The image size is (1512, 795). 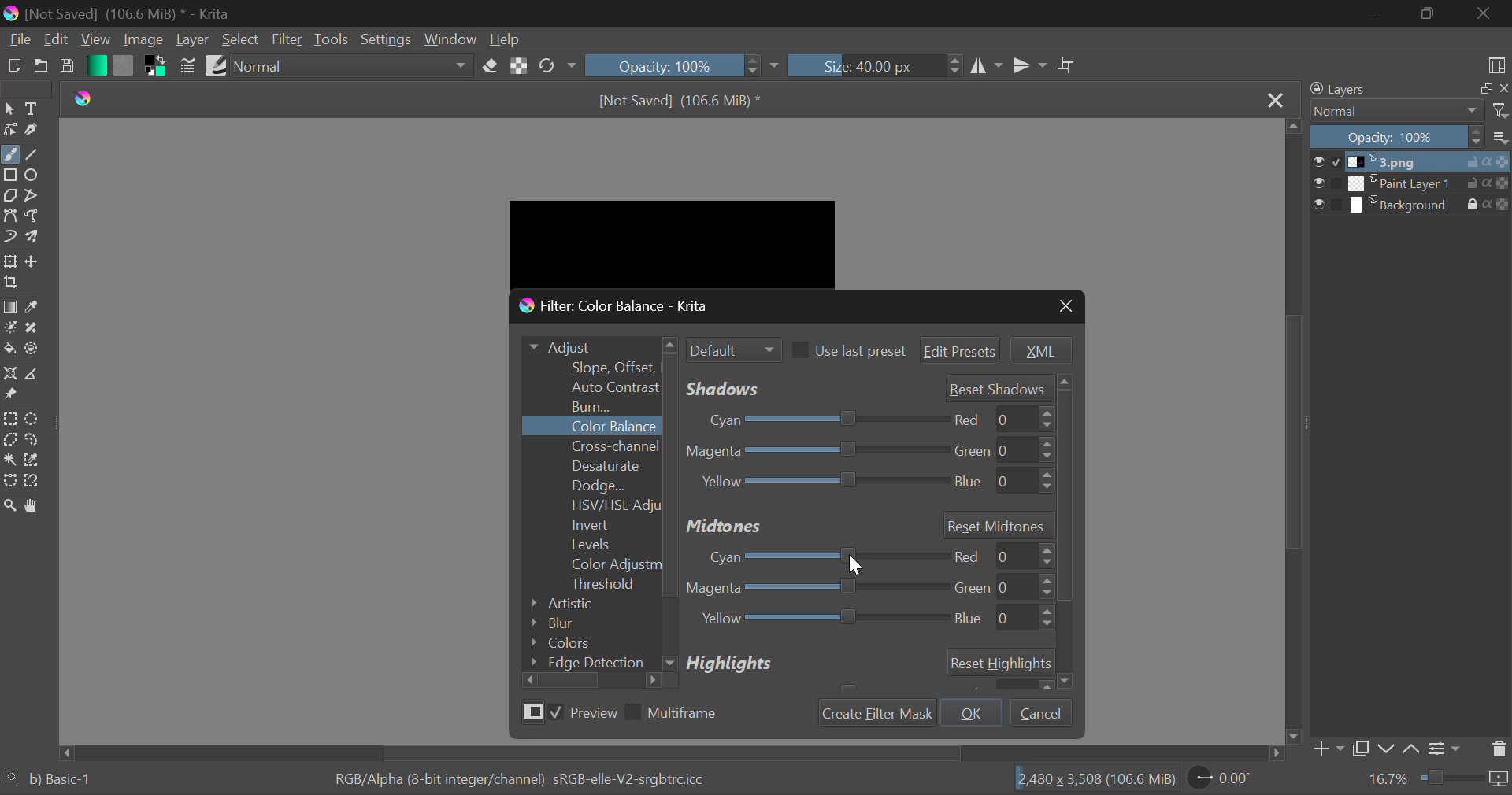 I want to click on move right, so click(x=1278, y=753).